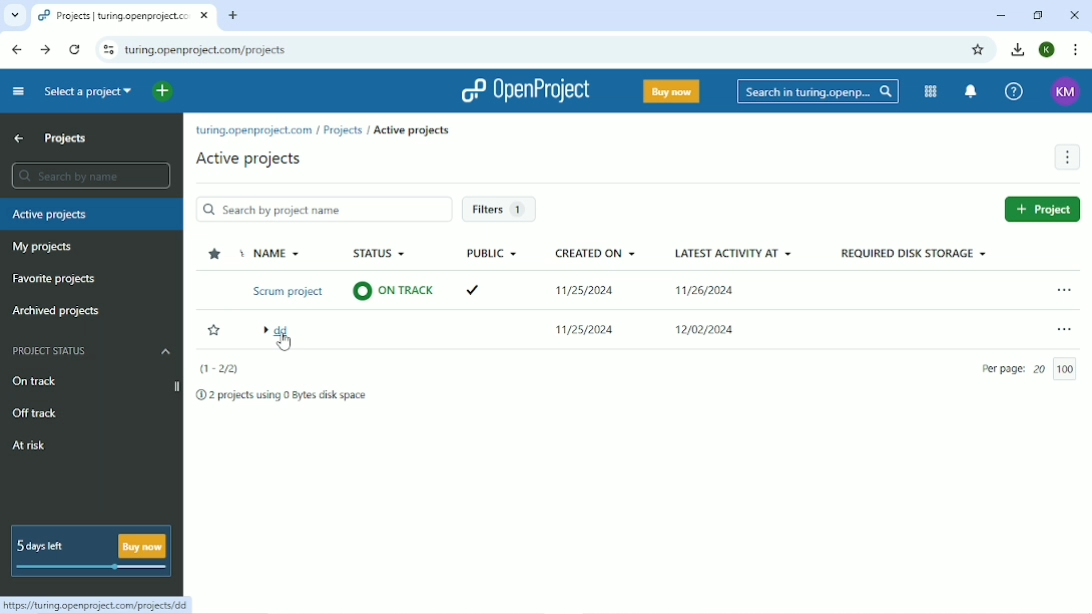 The height and width of the screenshot is (614, 1092). I want to click on Status, so click(393, 273).